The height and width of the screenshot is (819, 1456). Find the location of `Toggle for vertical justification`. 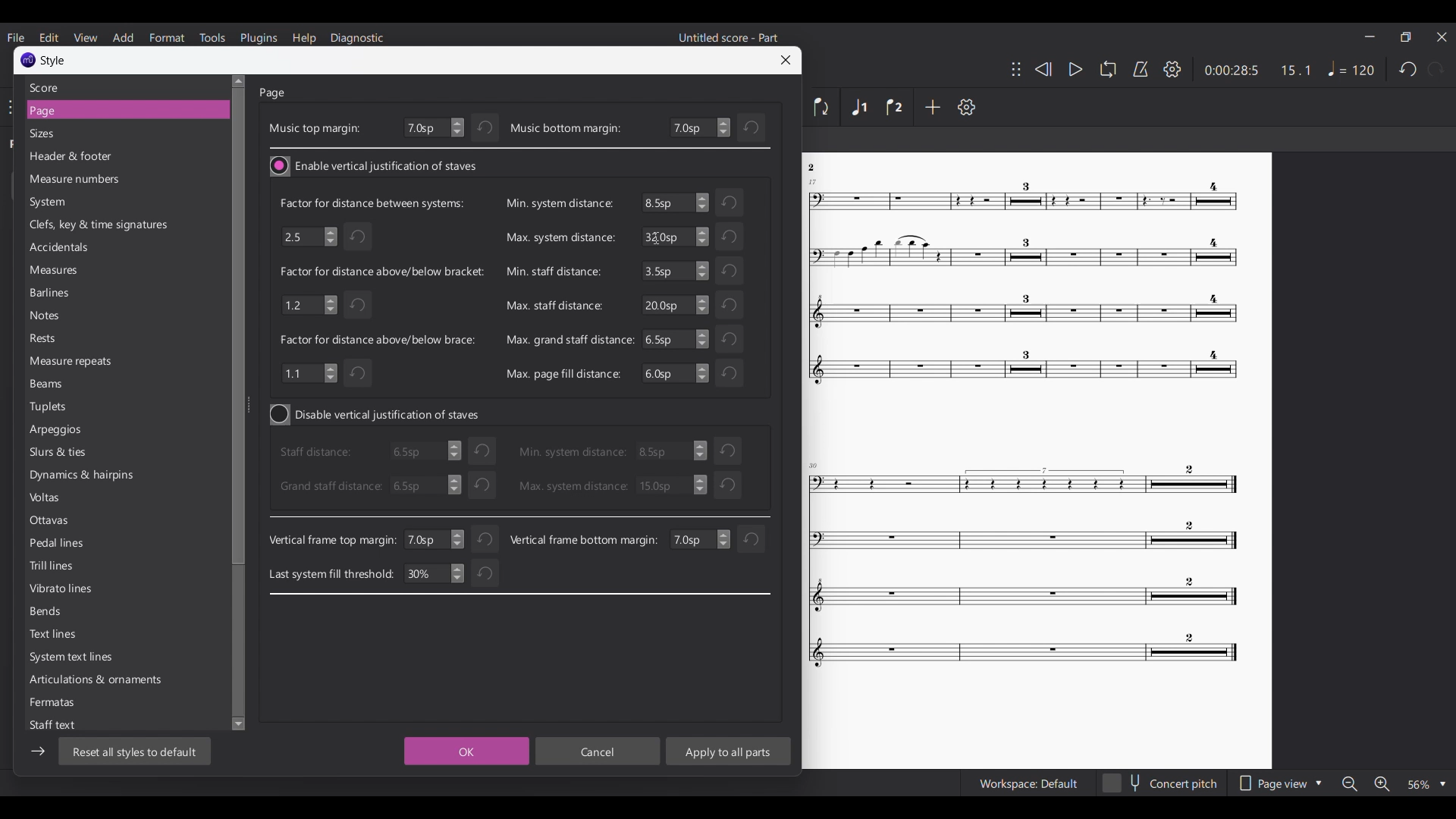

Toggle for vertical justification is located at coordinates (375, 166).